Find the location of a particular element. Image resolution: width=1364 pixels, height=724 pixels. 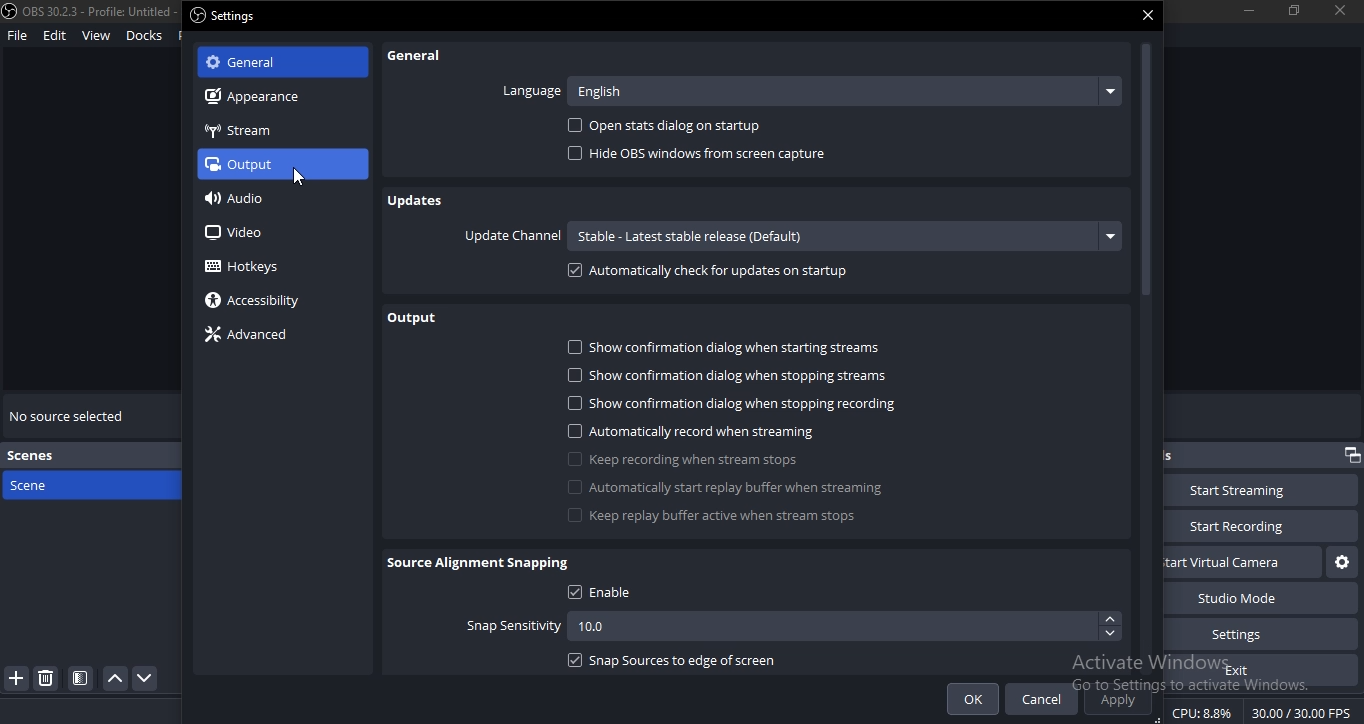

cancel is located at coordinates (1041, 699).